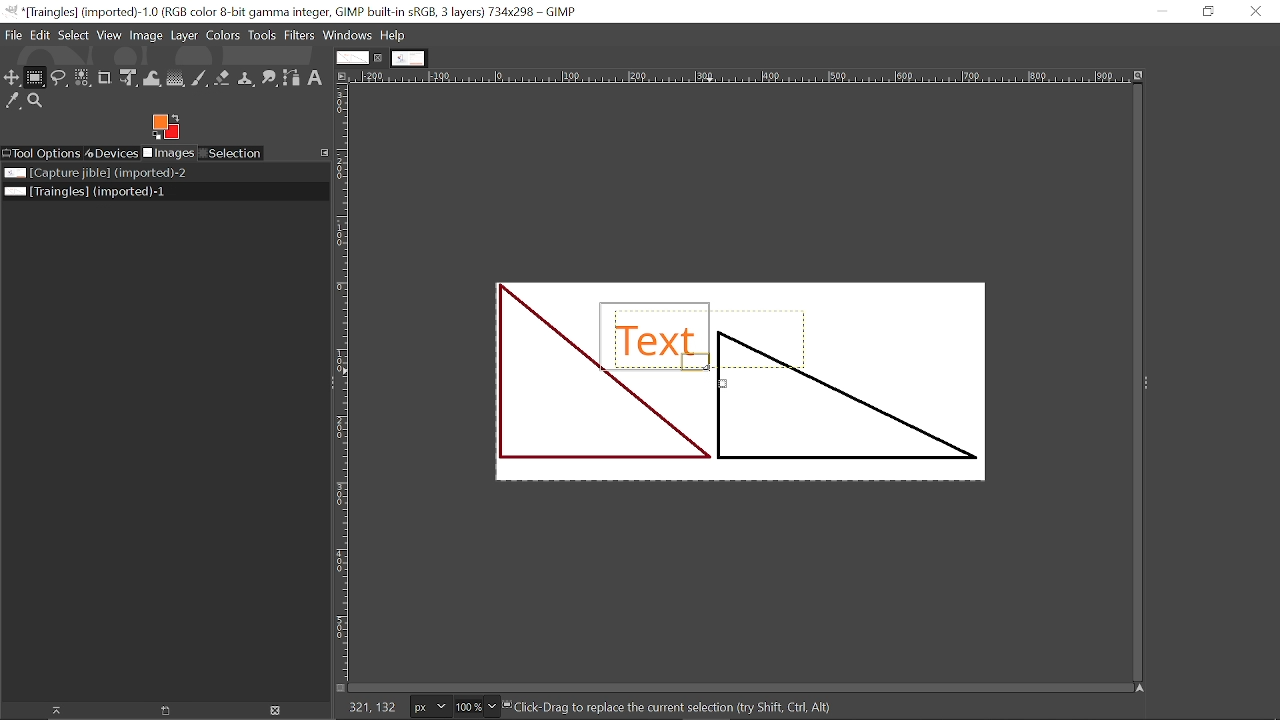 The image size is (1280, 720). What do you see at coordinates (54, 710) in the screenshot?
I see `Raise this image display` at bounding box center [54, 710].